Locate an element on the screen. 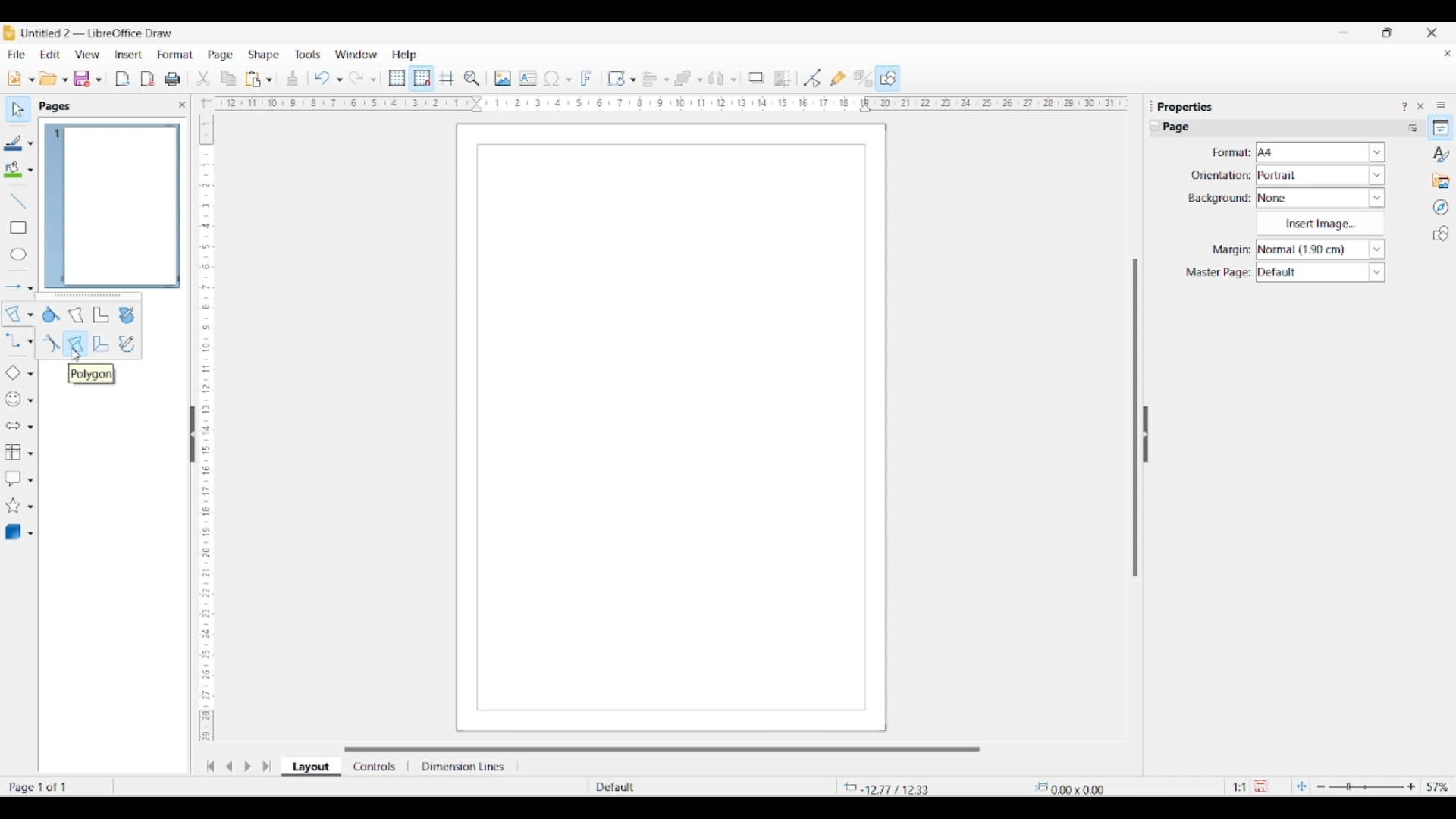 The width and height of the screenshot is (1456, 819). Current settings title - Page is located at coordinates (1183, 129).